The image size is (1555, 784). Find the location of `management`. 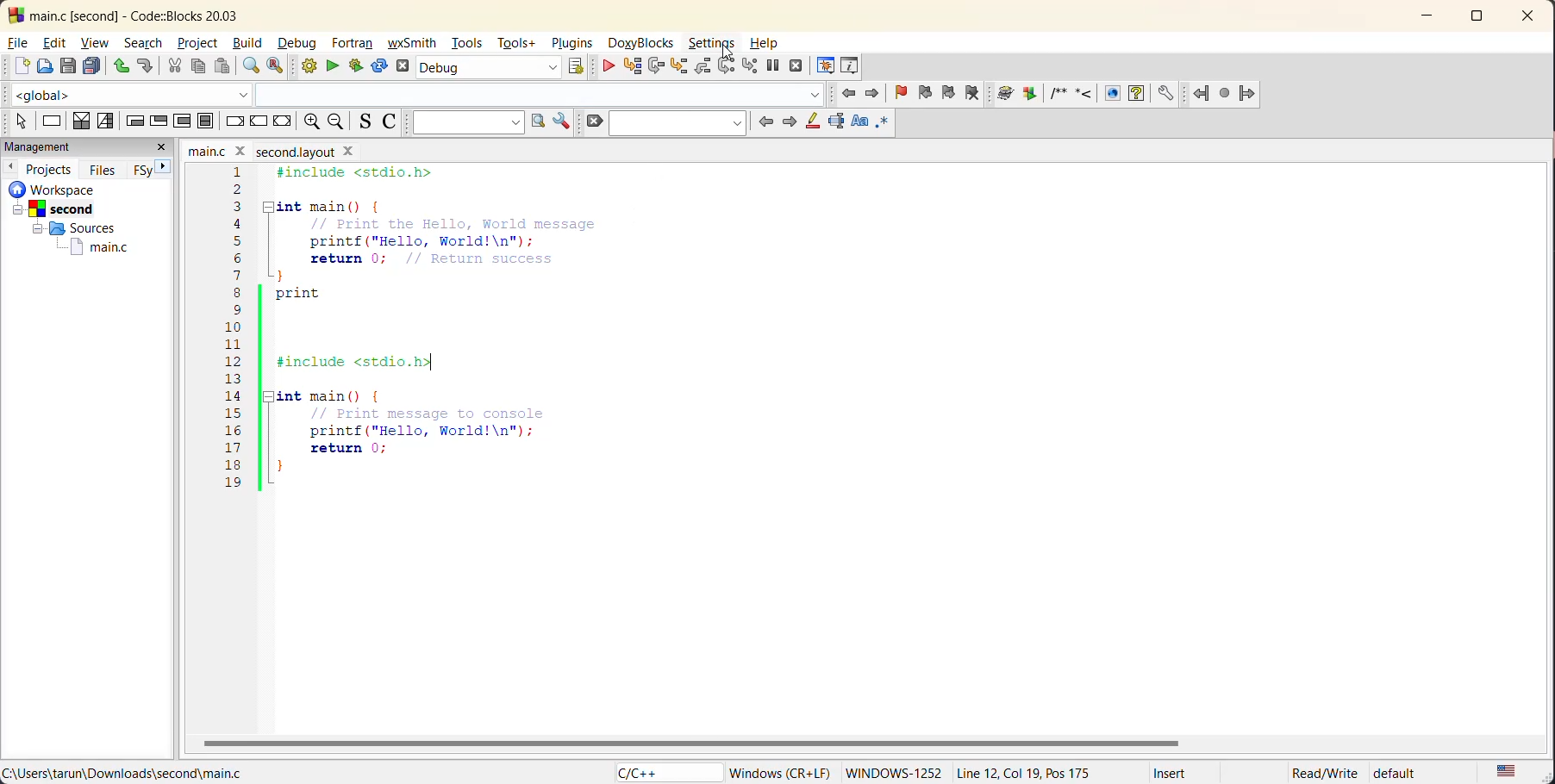

management is located at coordinates (66, 146).